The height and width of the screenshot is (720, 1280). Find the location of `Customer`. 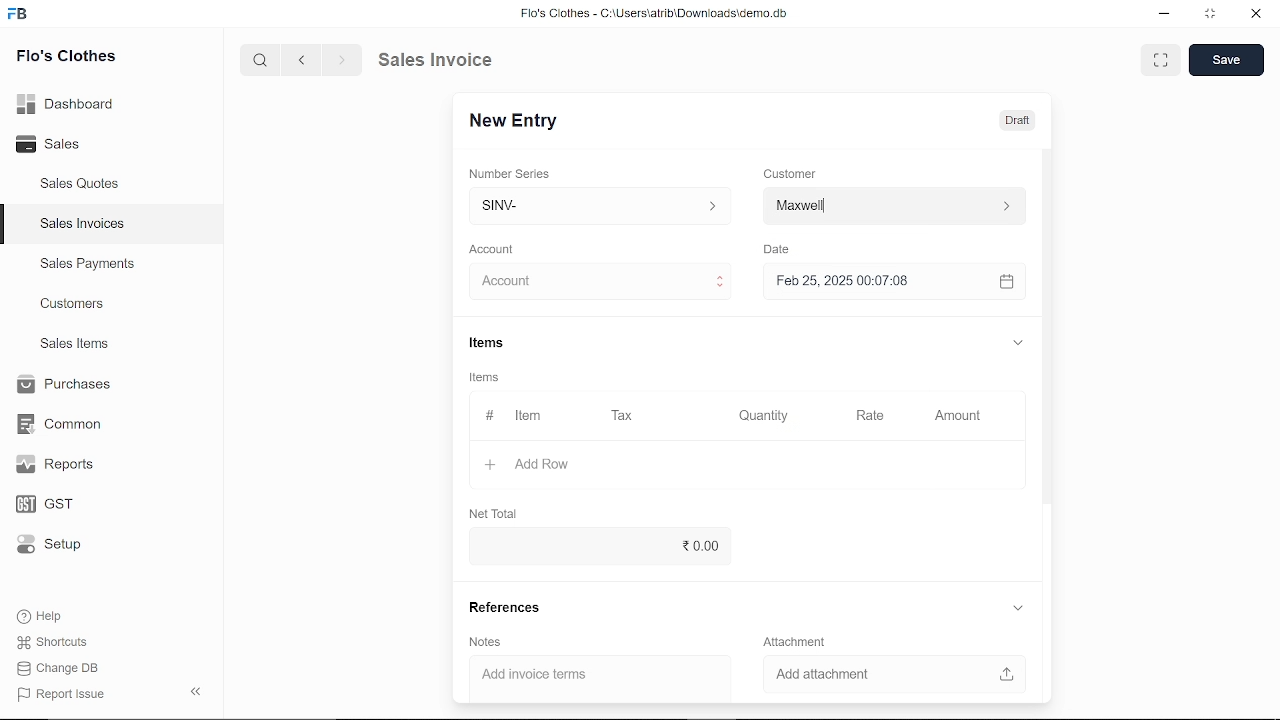

Customer is located at coordinates (790, 173).